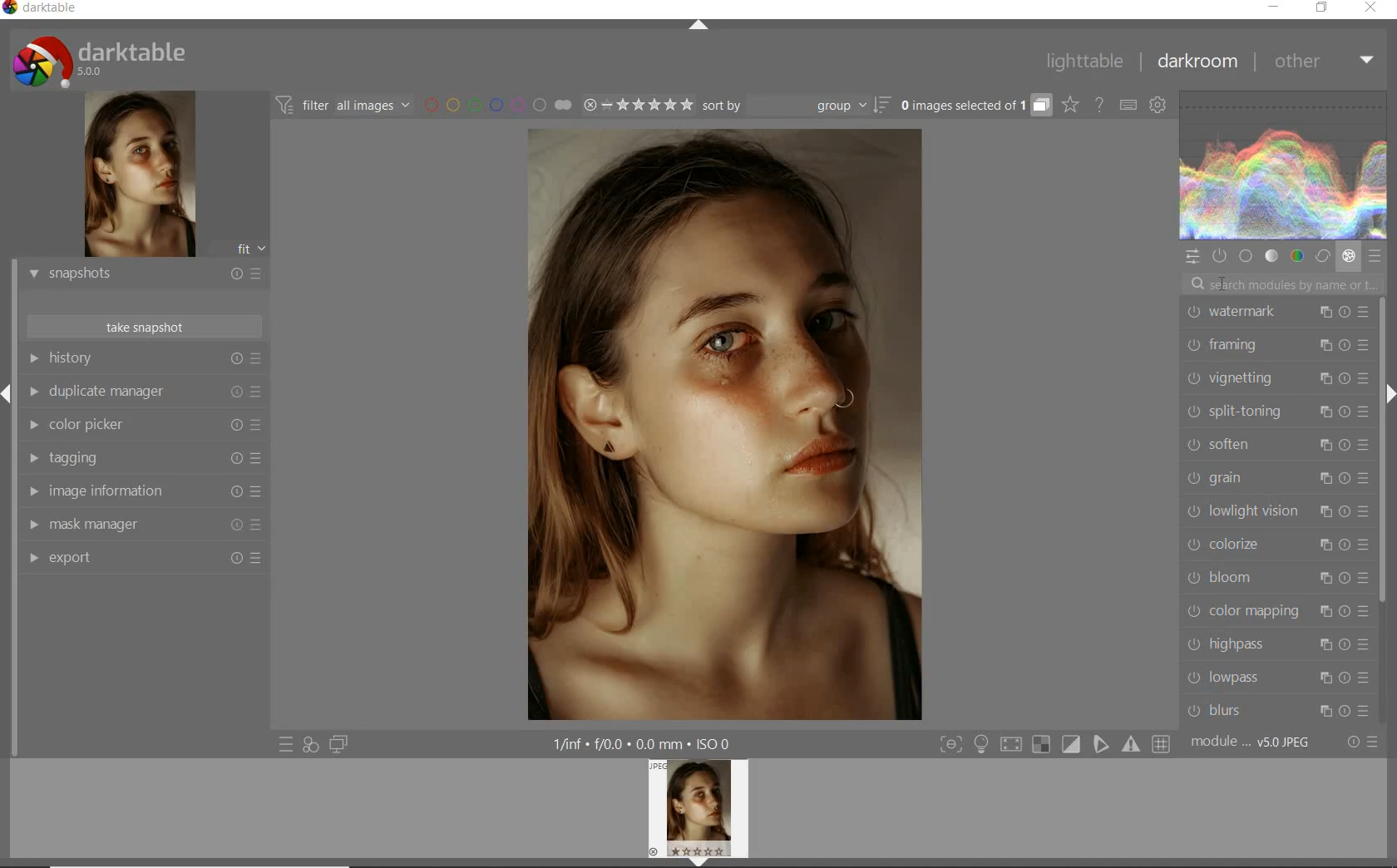  What do you see at coordinates (1275, 612) in the screenshot?
I see `color mapping` at bounding box center [1275, 612].